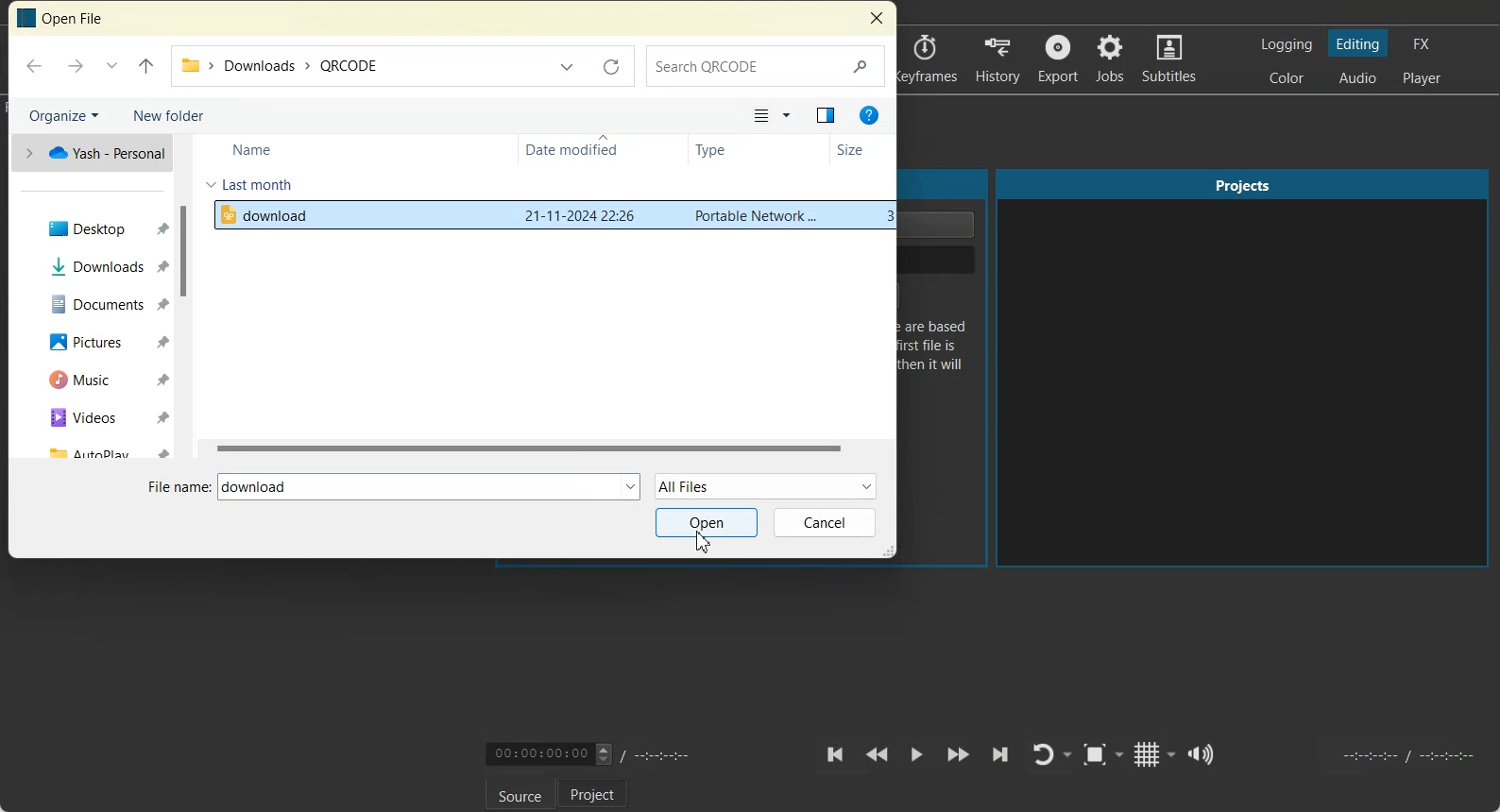 This screenshot has width=1500, height=812. I want to click on Skip to the previous point, so click(836, 754).